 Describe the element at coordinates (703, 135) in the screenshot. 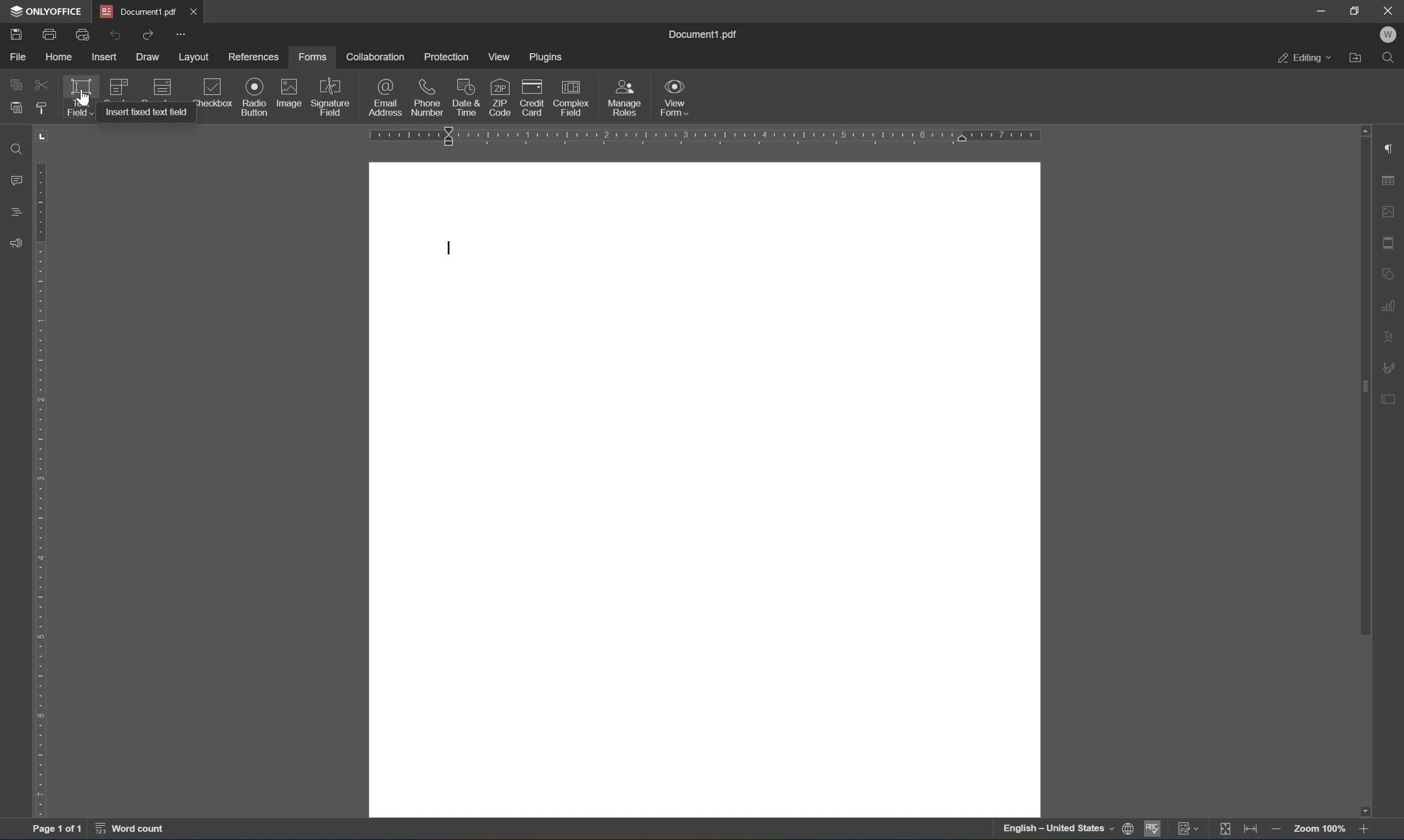

I see `ruler` at that location.